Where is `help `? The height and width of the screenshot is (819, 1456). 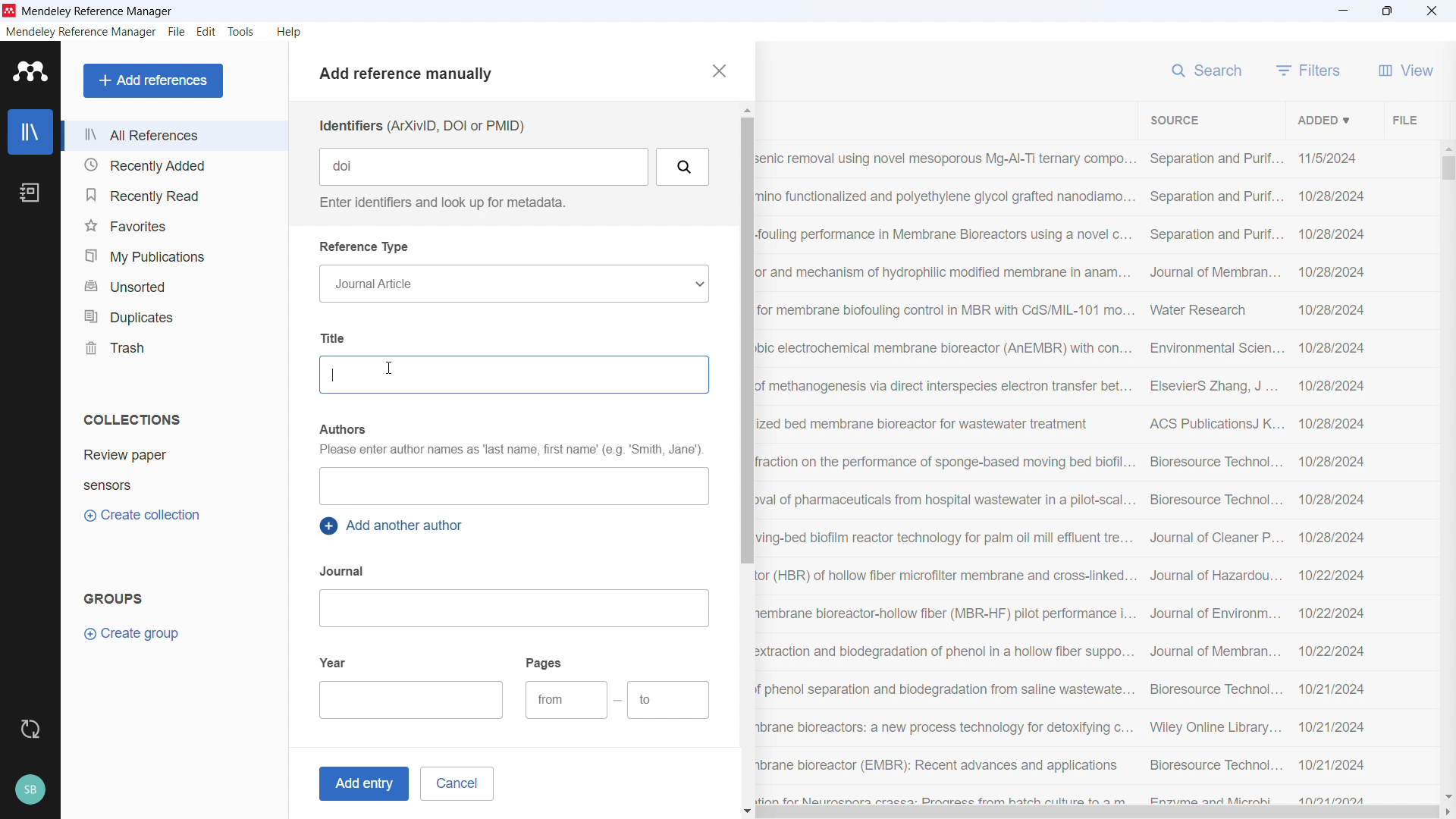
help  is located at coordinates (290, 32).